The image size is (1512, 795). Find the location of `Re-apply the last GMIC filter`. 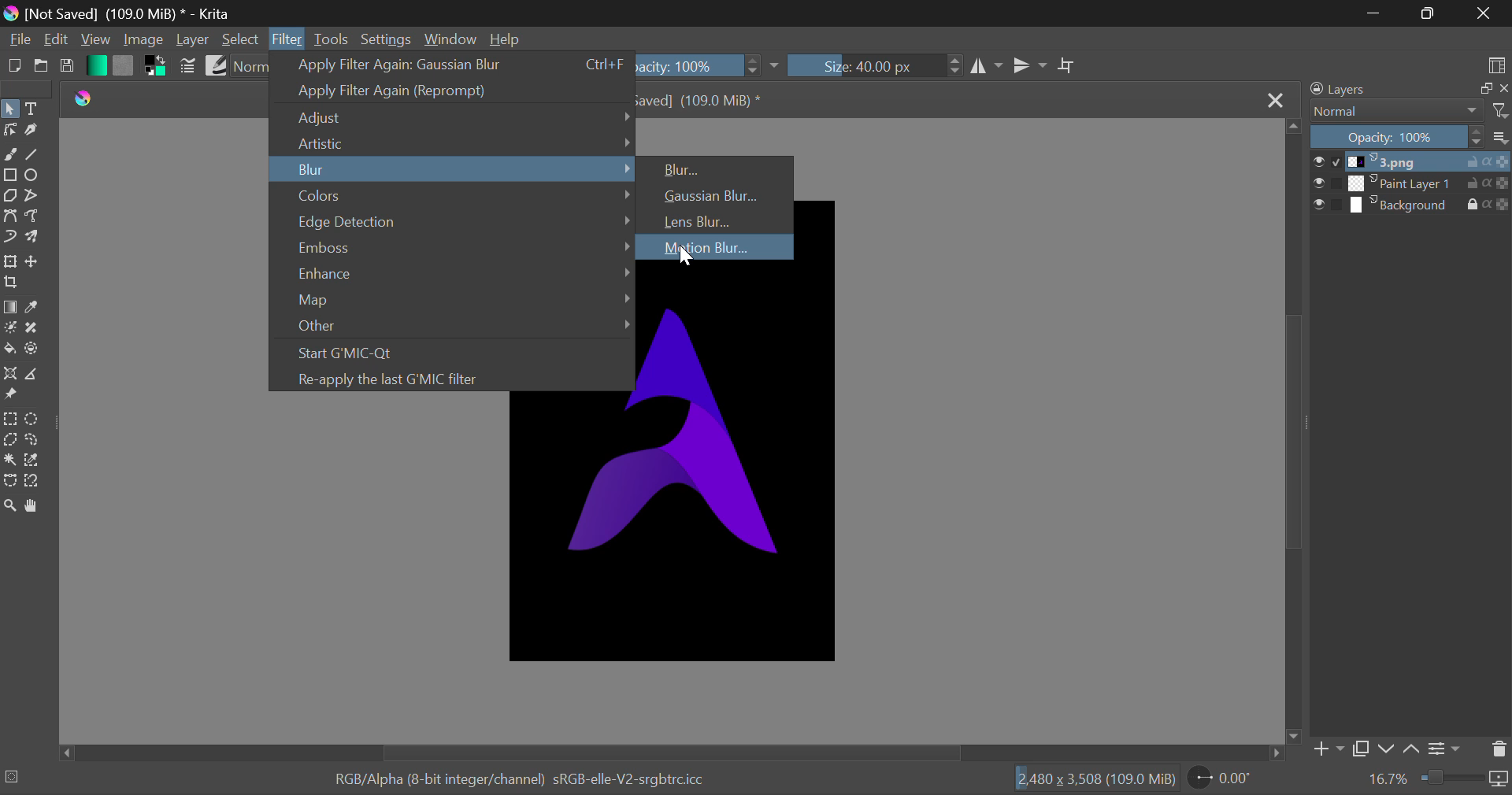

Re-apply the last GMIC filter is located at coordinates (446, 377).